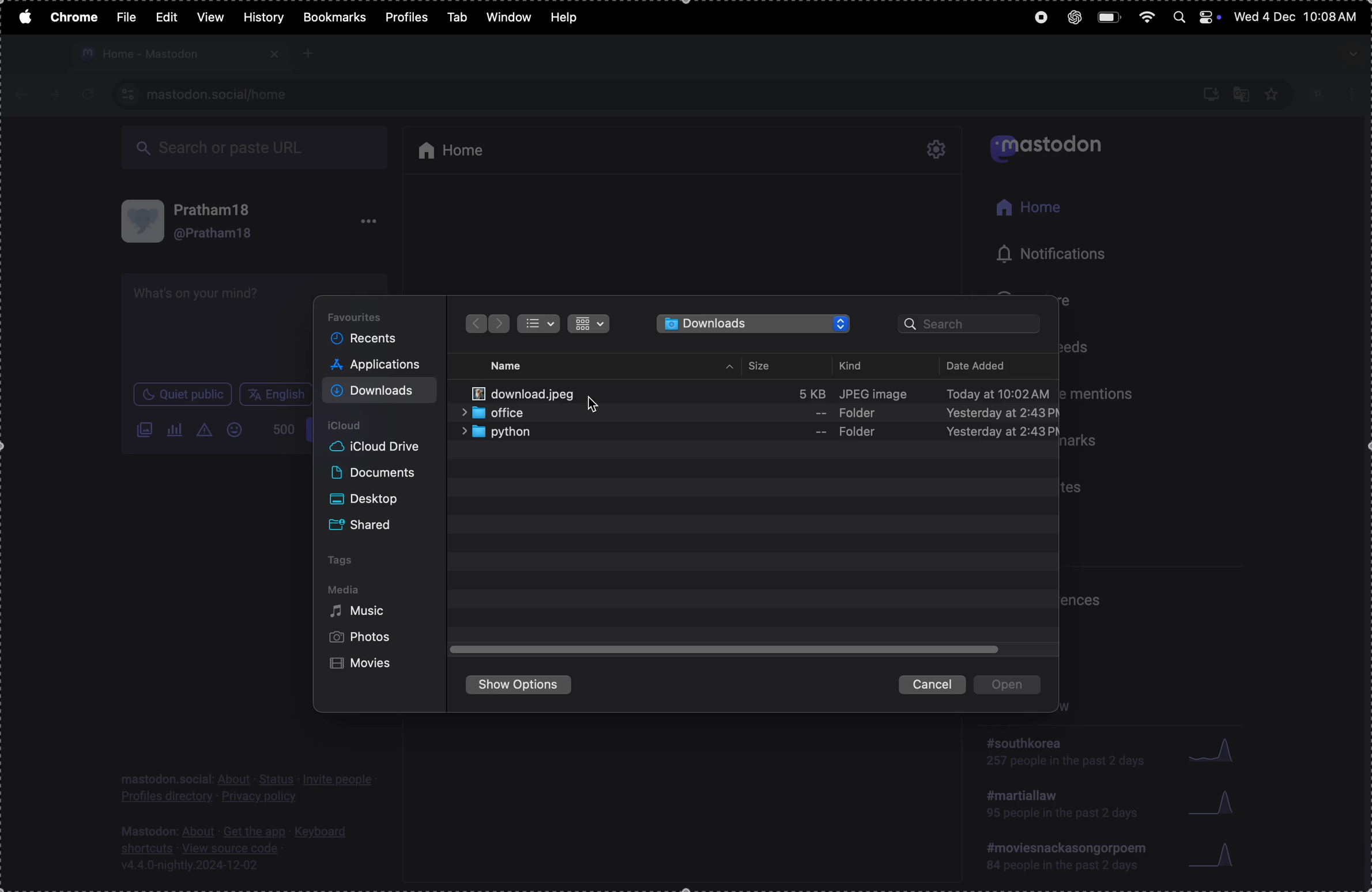 The image size is (1372, 892). Describe the element at coordinates (763, 366) in the screenshot. I see `size` at that location.